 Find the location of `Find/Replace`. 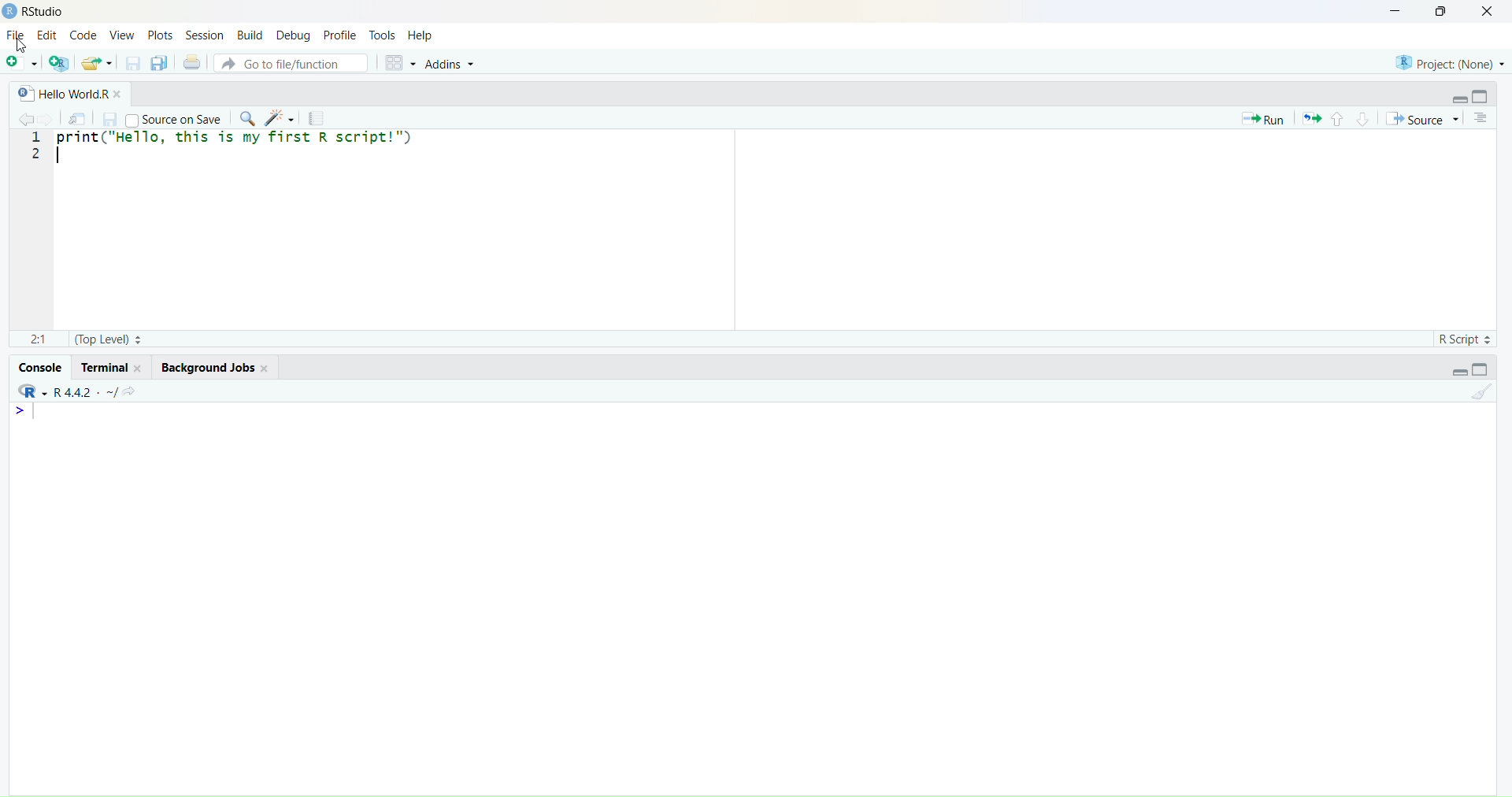

Find/Replace is located at coordinates (245, 119).